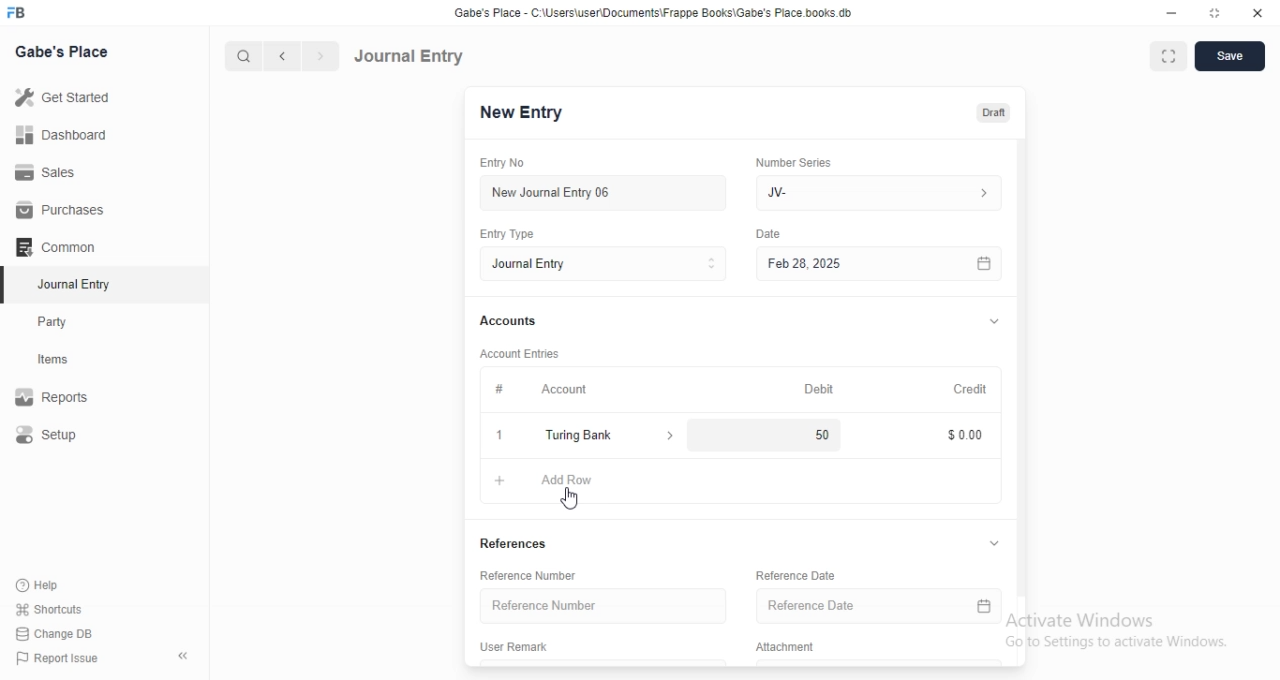  What do you see at coordinates (970, 389) in the screenshot?
I see `Credit` at bounding box center [970, 389].